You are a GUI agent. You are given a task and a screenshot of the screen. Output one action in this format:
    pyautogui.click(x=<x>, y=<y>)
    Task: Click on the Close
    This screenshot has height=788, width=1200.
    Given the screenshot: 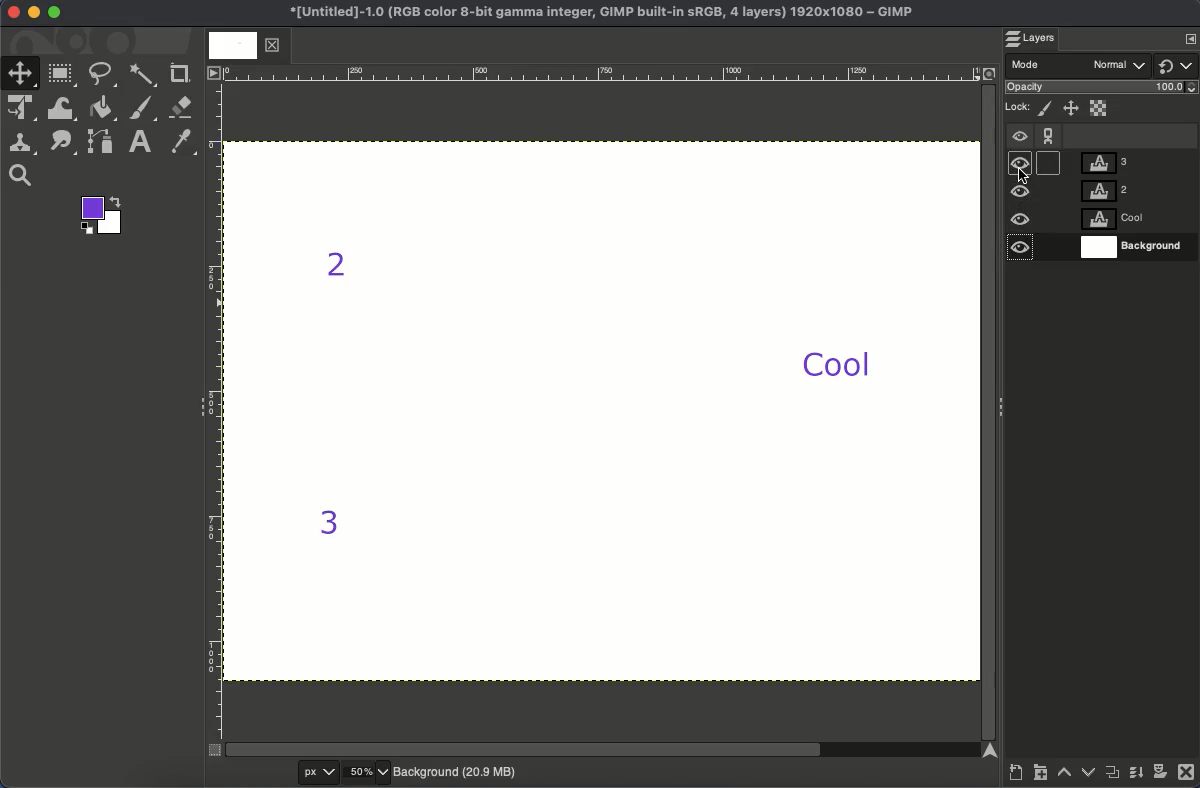 What is the action you would take?
    pyautogui.click(x=11, y=13)
    